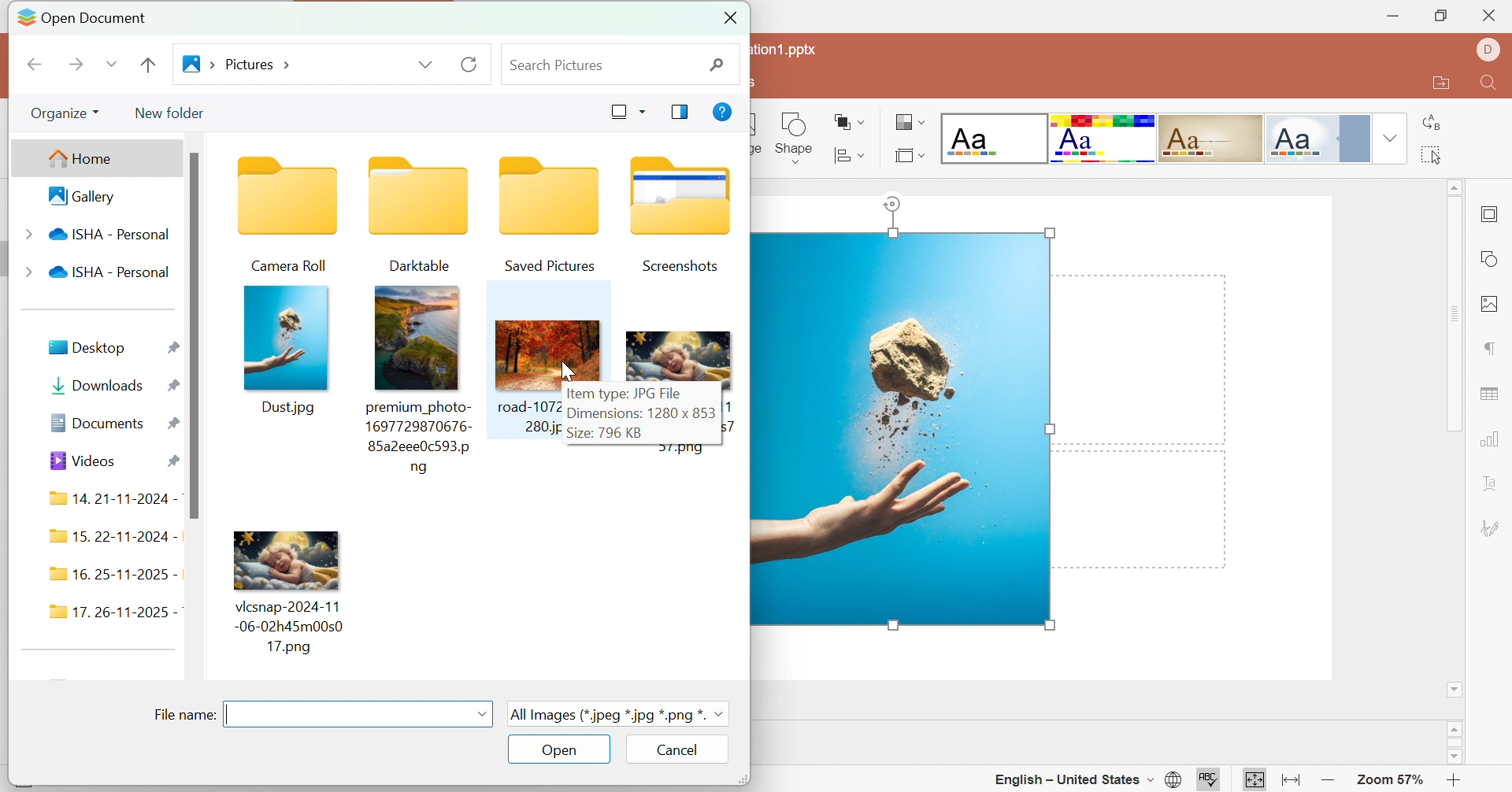 This screenshot has height=792, width=1512. Describe the element at coordinates (527, 416) in the screenshot. I see `road- 1072280.jpg` at that location.